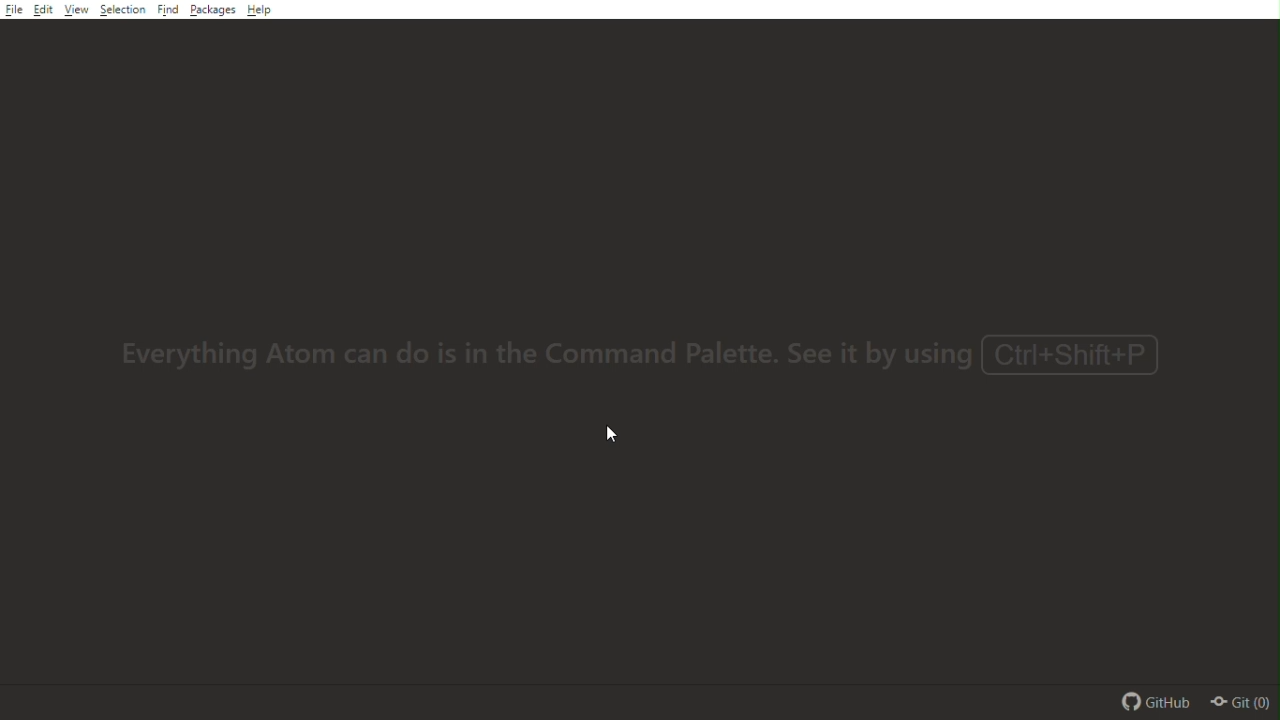 Image resolution: width=1280 pixels, height=720 pixels. I want to click on Selection, so click(123, 12).